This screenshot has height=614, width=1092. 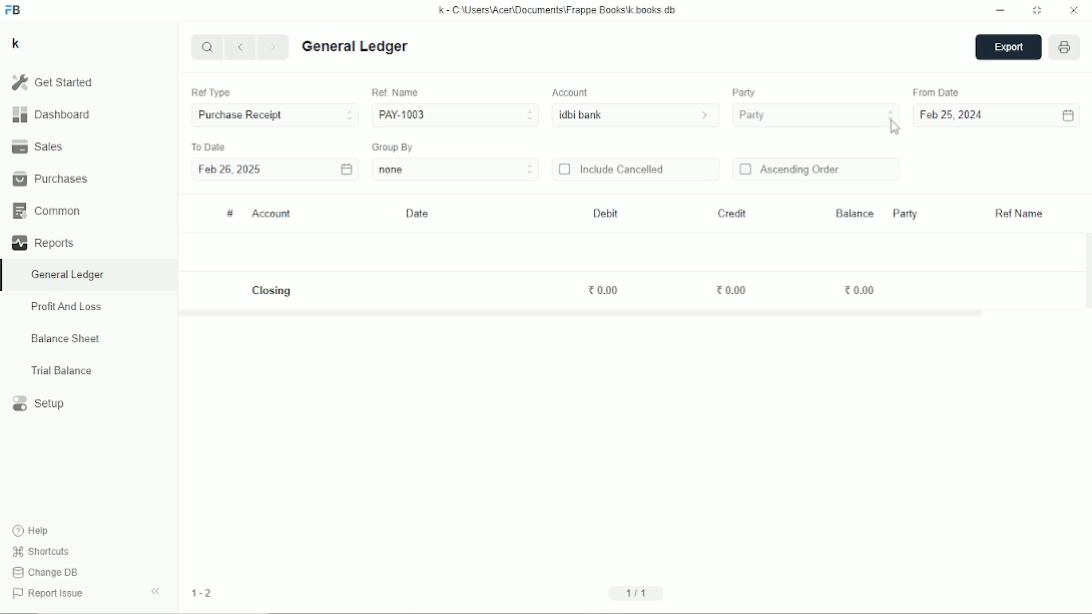 I want to click on Shortcuts, so click(x=42, y=552).